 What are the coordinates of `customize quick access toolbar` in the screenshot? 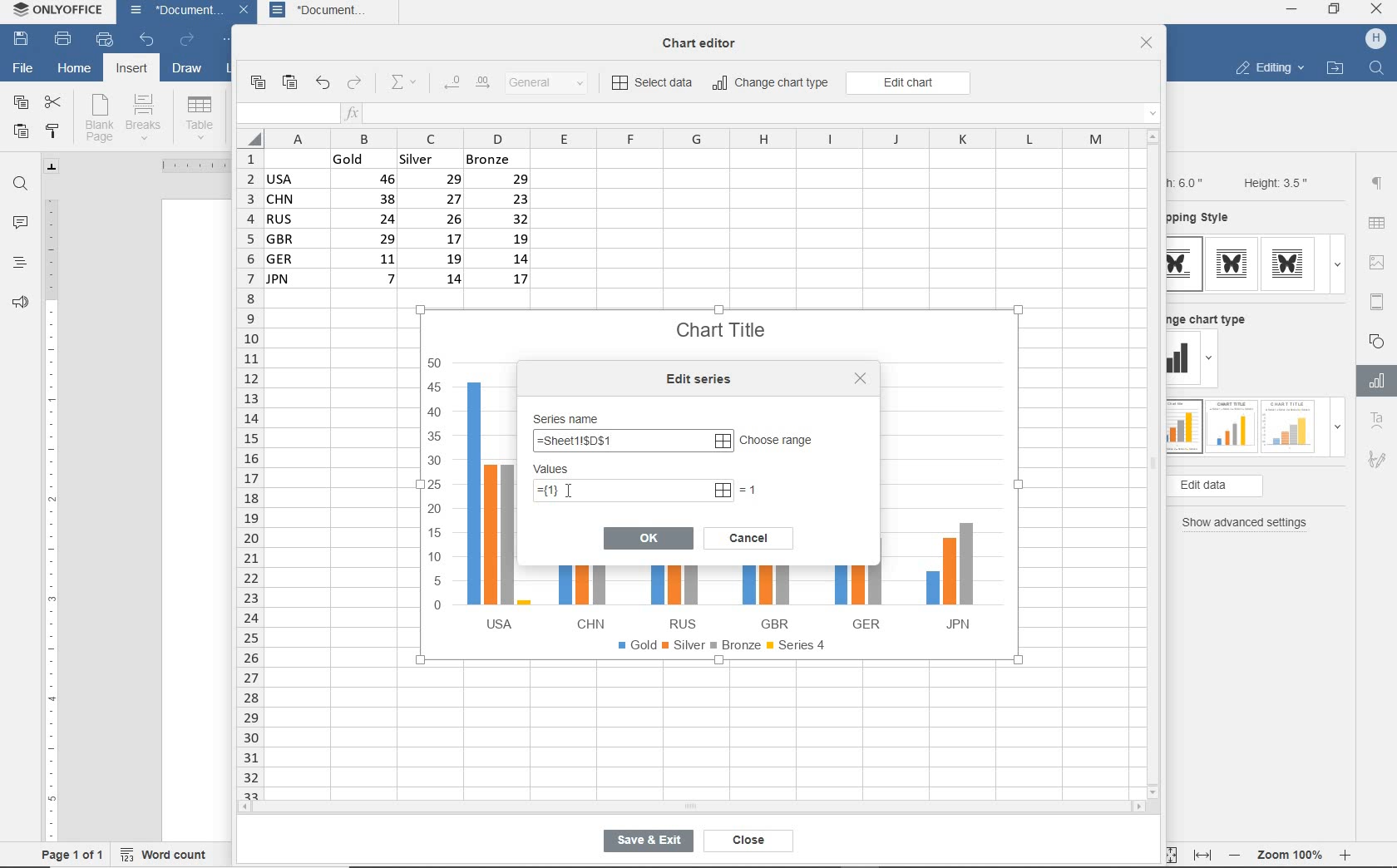 It's located at (230, 42).